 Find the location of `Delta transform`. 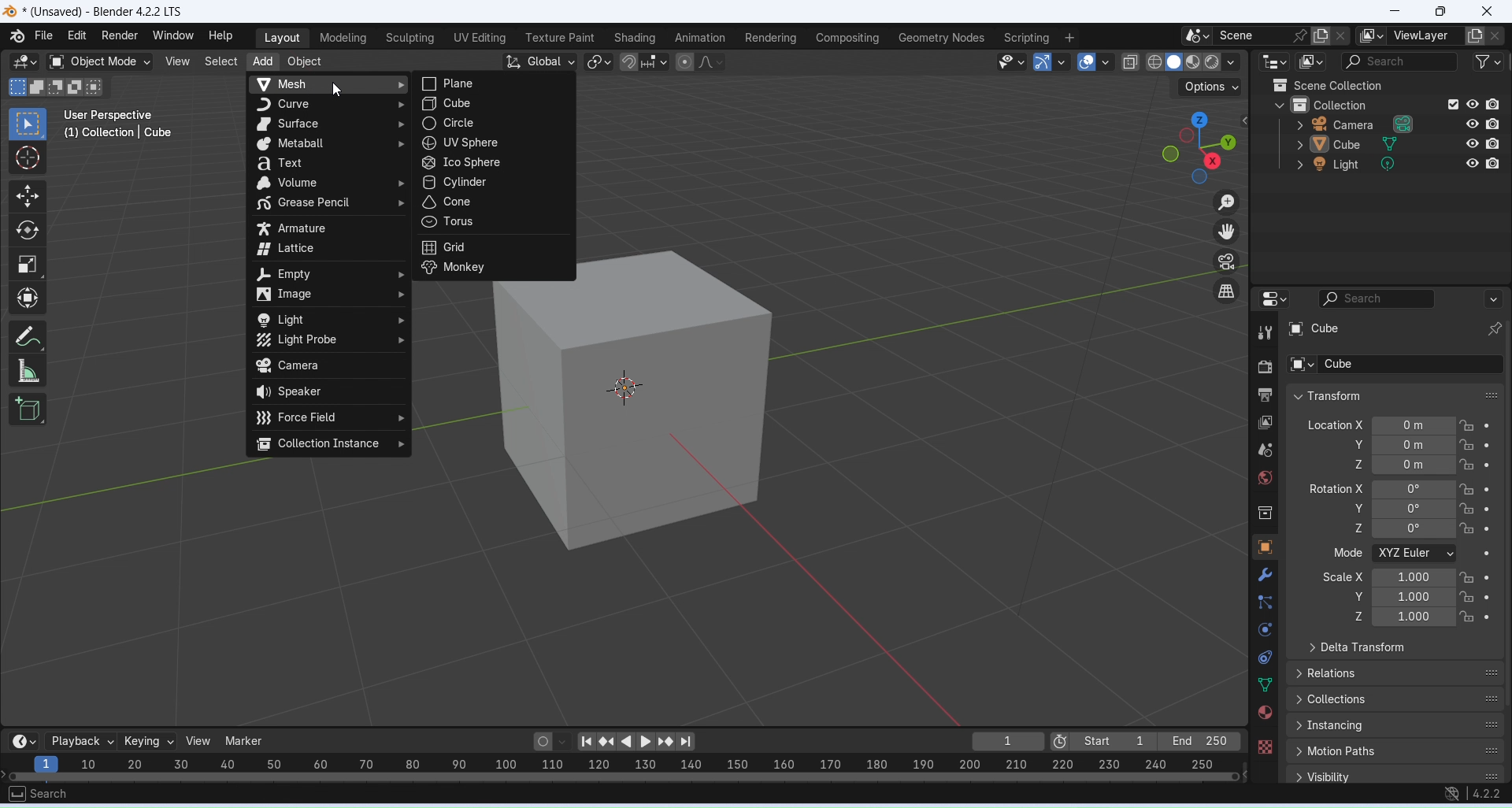

Delta transform is located at coordinates (1358, 648).